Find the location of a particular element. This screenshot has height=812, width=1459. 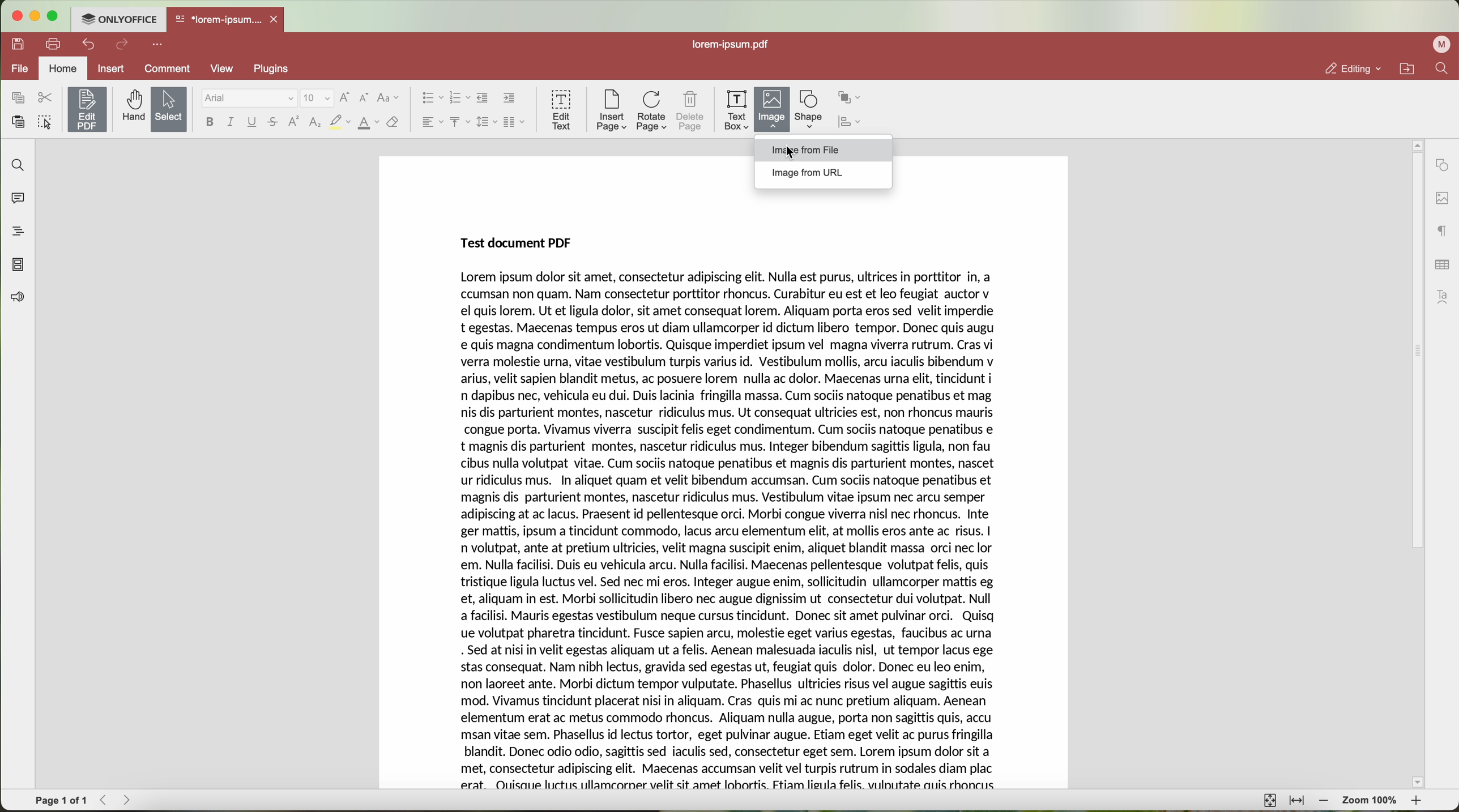

insert is located at coordinates (110, 68).